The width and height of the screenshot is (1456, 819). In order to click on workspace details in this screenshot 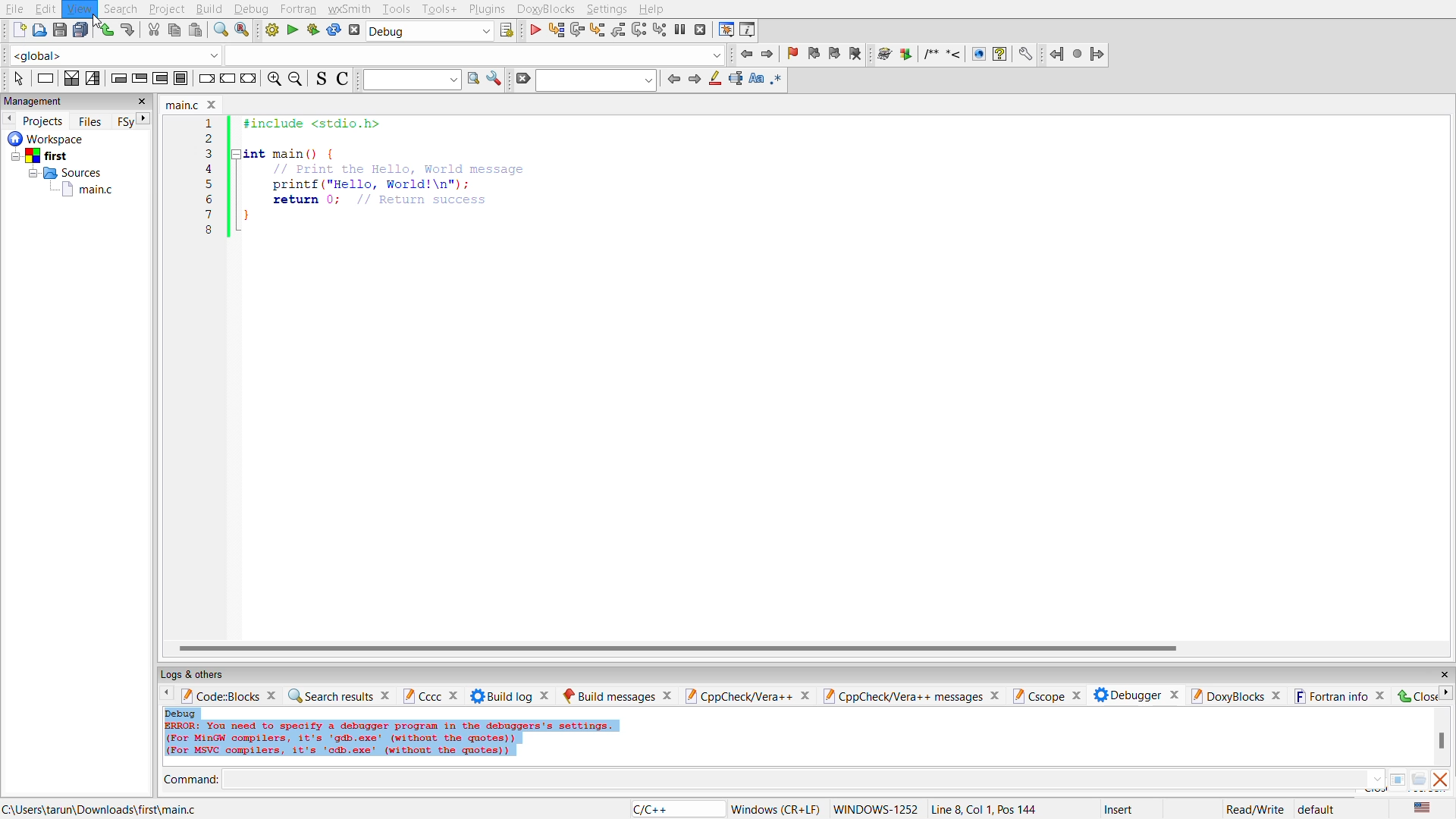, I will do `click(58, 138)`.